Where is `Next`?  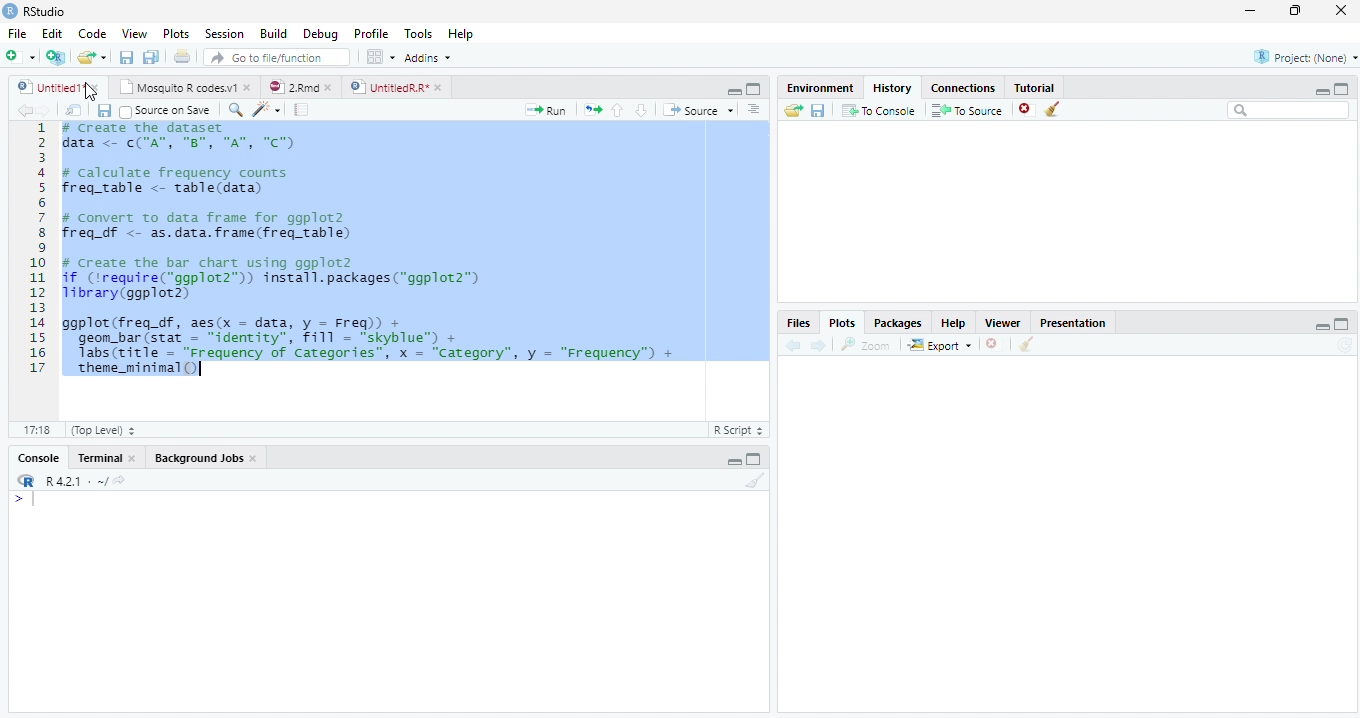
Next is located at coordinates (820, 344).